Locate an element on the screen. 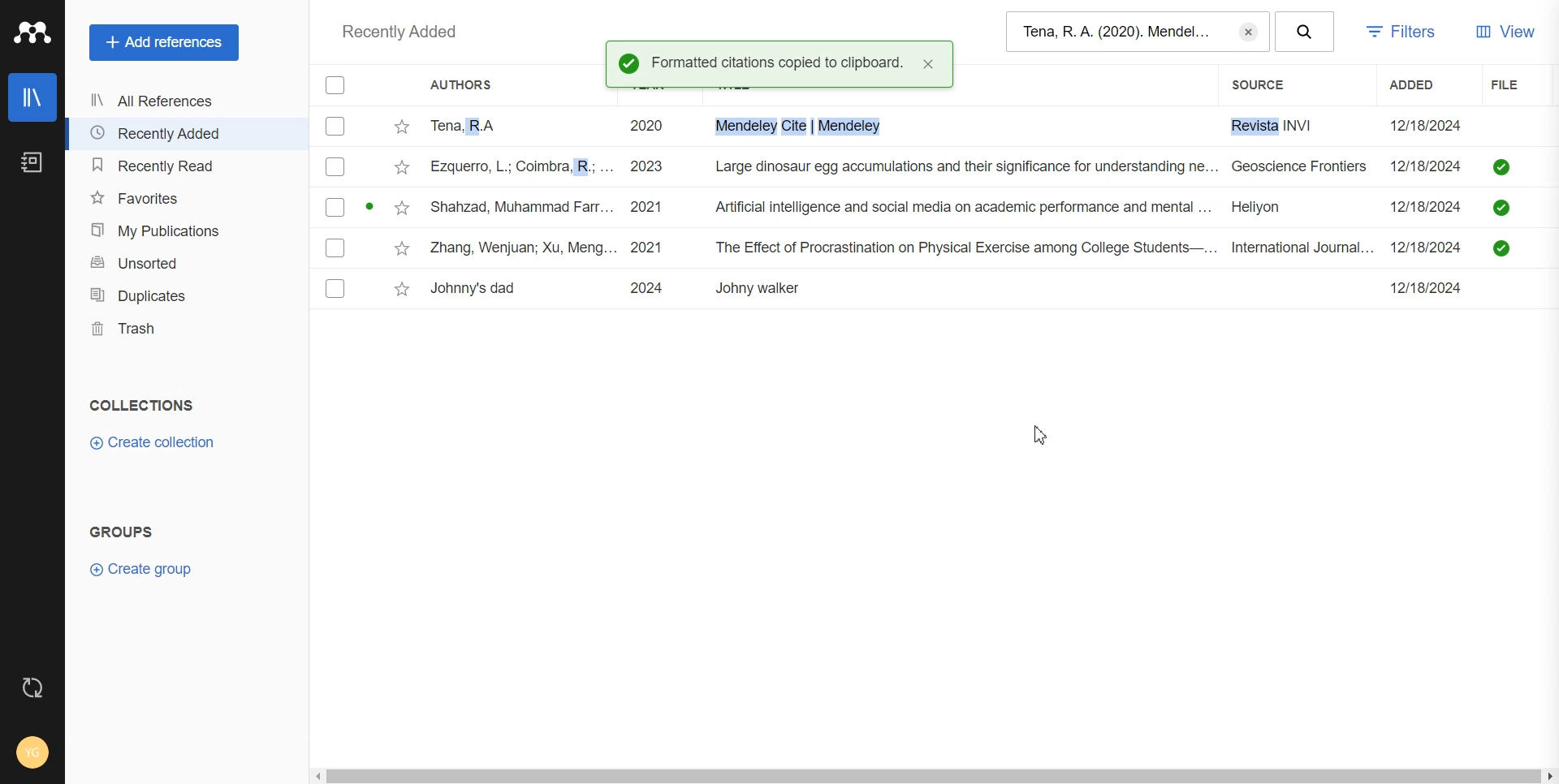 The image size is (1559, 784). Add References is located at coordinates (165, 43).